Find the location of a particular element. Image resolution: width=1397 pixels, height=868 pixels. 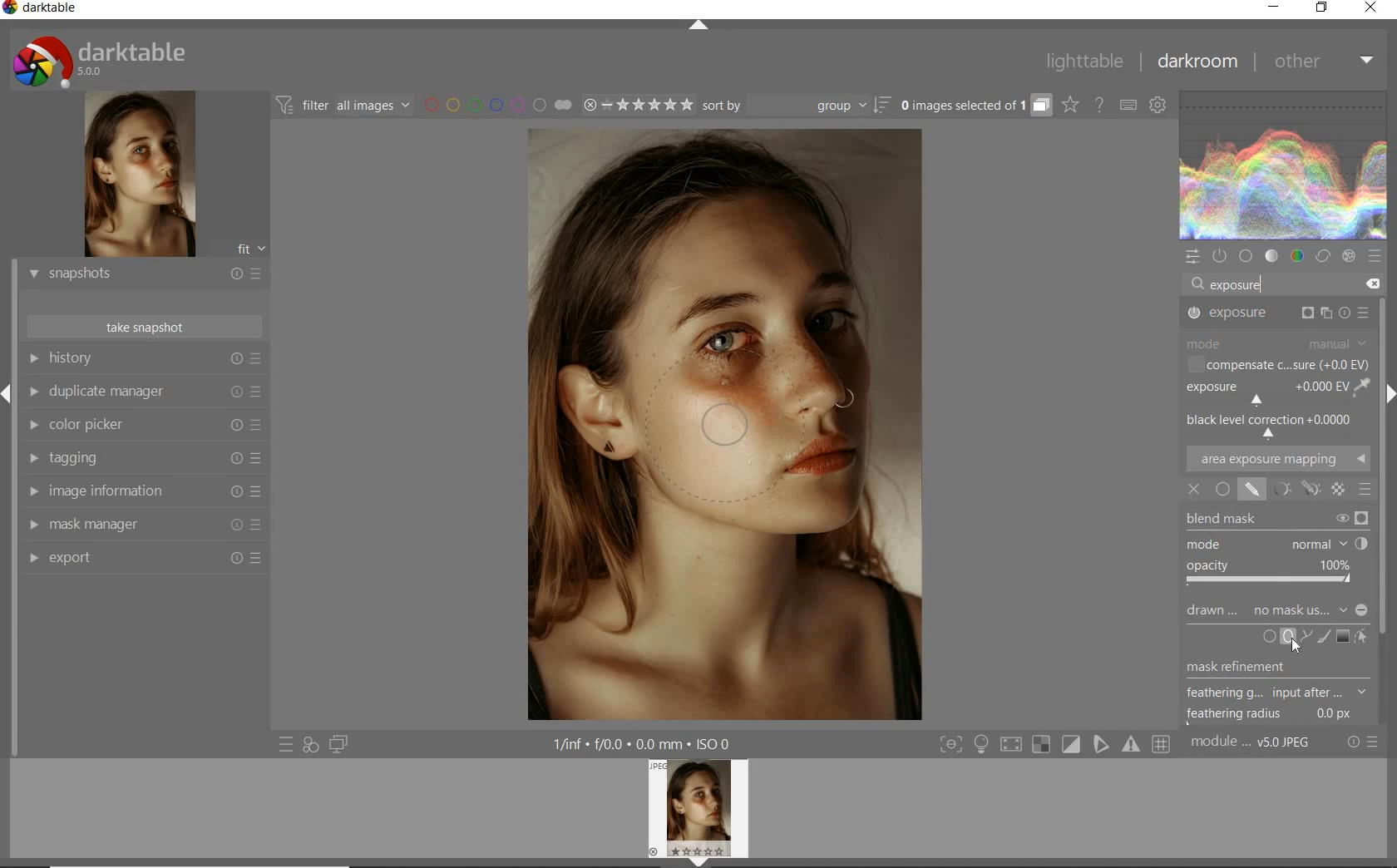

set keyboard shortcuts is located at coordinates (1127, 106).